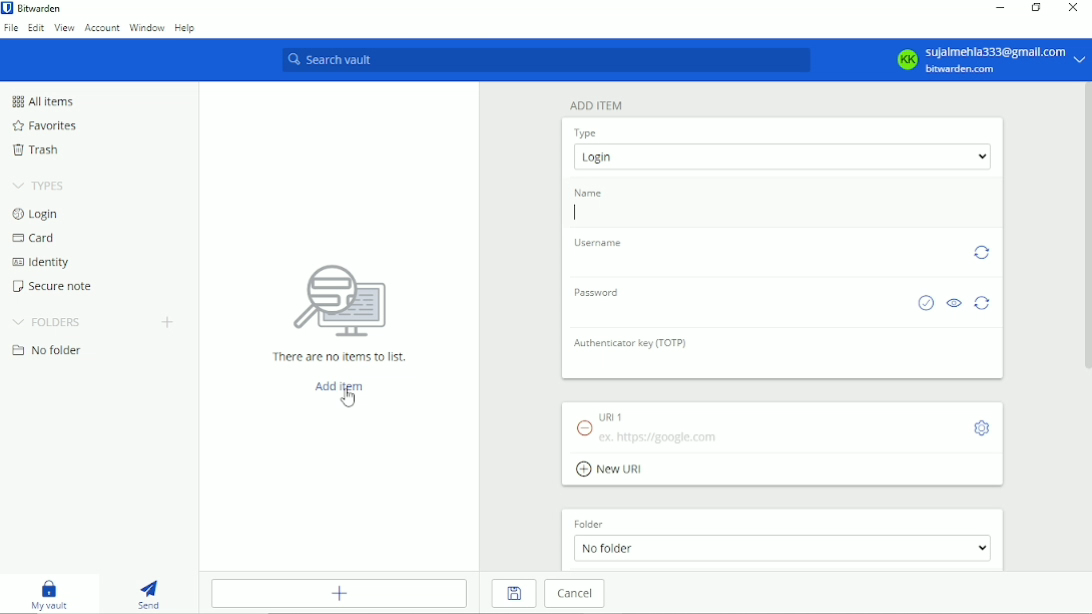  What do you see at coordinates (926, 304) in the screenshot?
I see `Check if password has been exposed` at bounding box center [926, 304].